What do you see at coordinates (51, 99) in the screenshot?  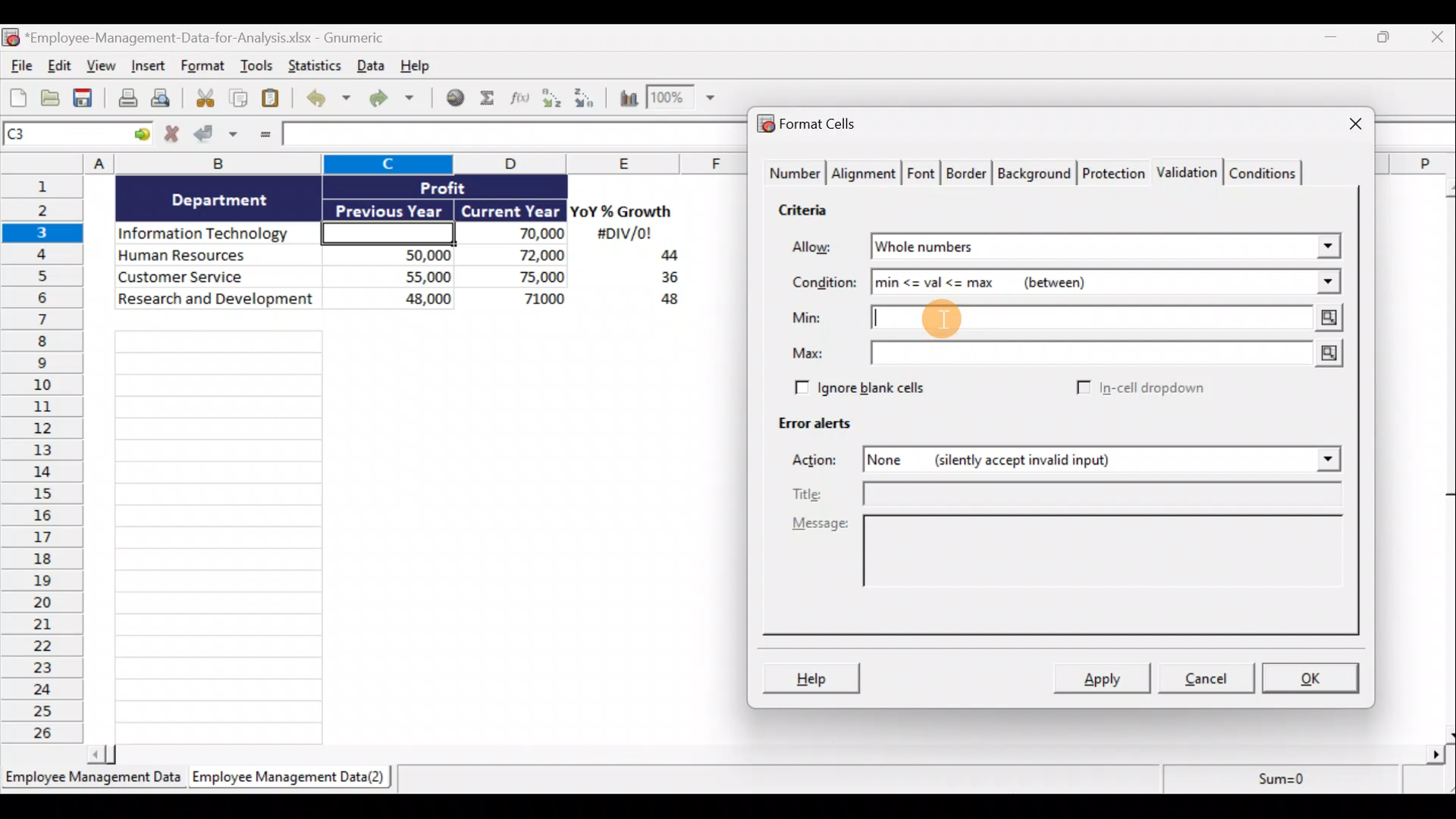 I see `Open a file` at bounding box center [51, 99].